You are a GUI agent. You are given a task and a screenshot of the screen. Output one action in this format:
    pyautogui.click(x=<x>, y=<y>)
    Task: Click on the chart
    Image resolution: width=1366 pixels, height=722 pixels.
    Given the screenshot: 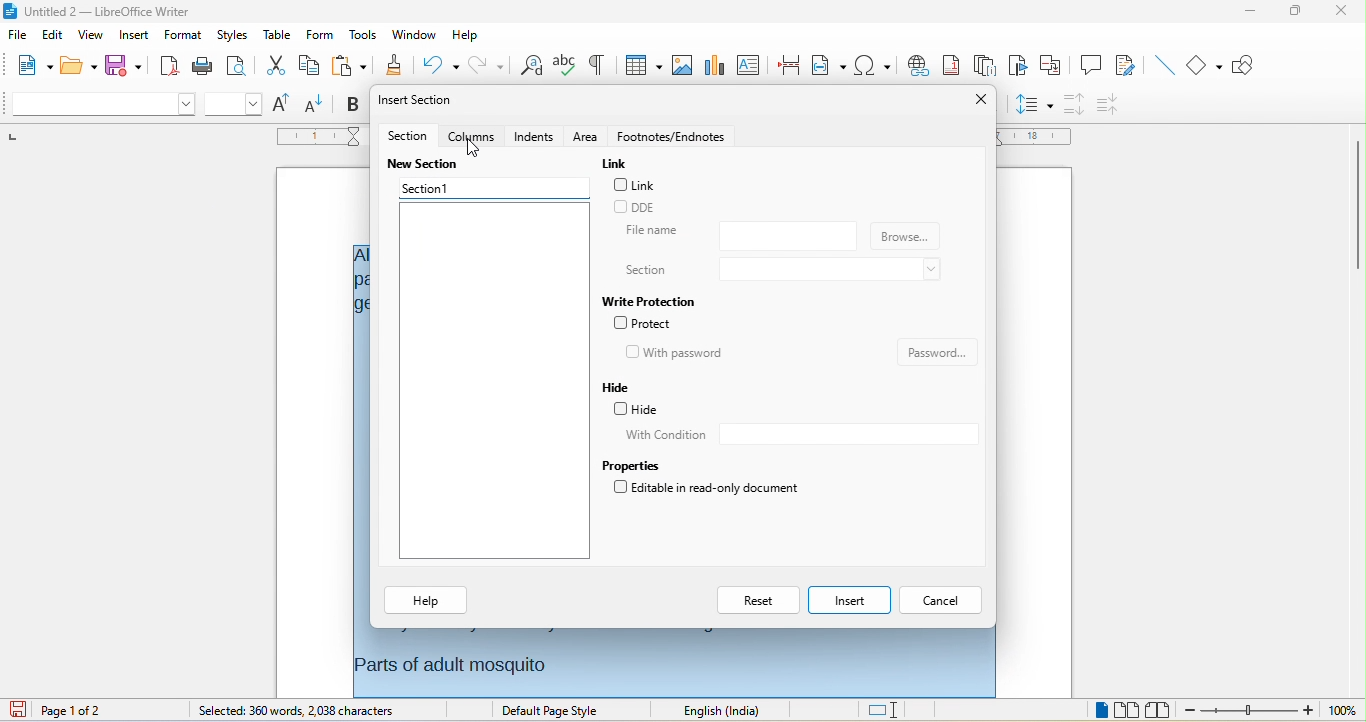 What is the action you would take?
    pyautogui.click(x=715, y=64)
    